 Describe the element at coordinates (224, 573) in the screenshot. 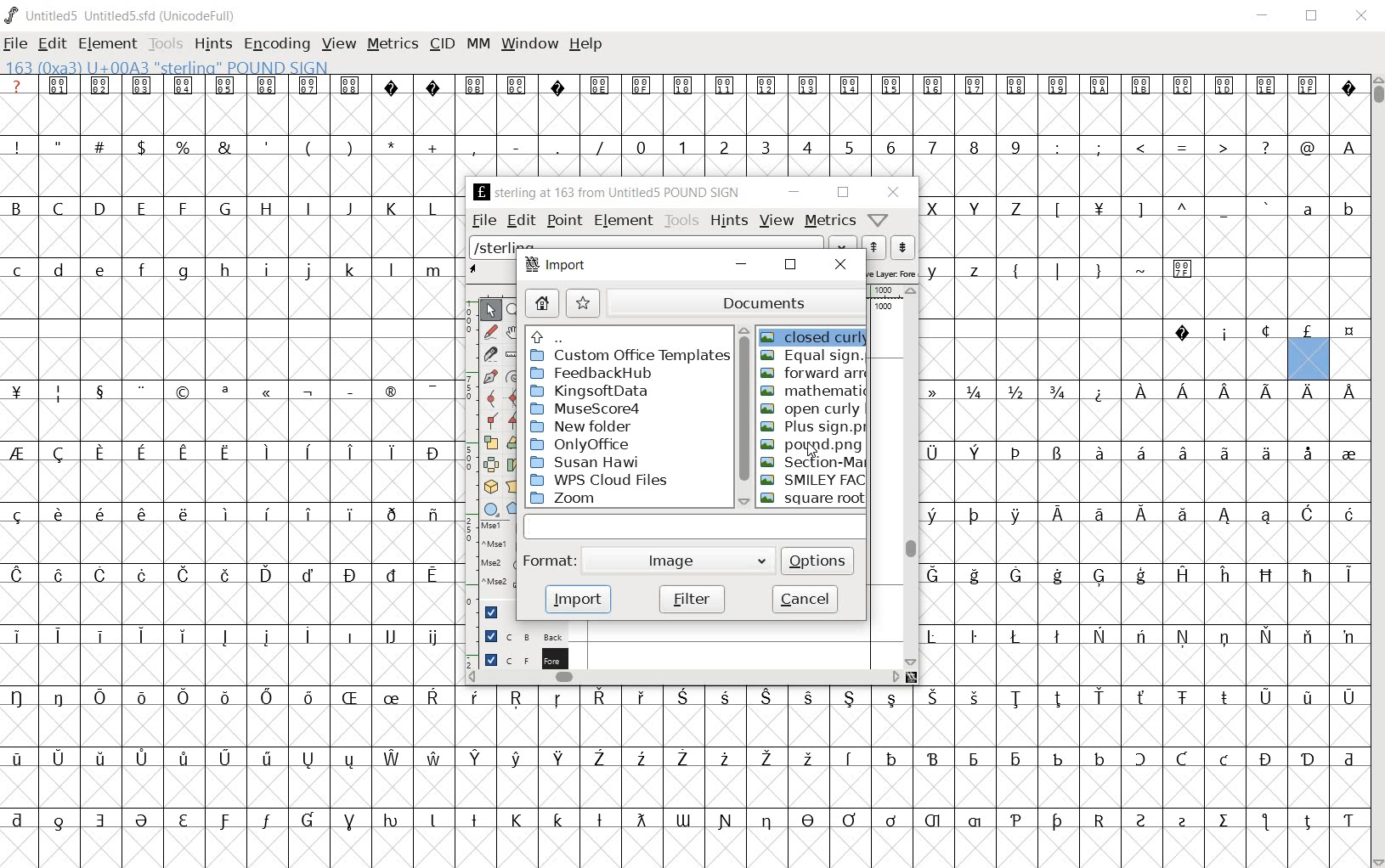

I see `Symbol` at that location.